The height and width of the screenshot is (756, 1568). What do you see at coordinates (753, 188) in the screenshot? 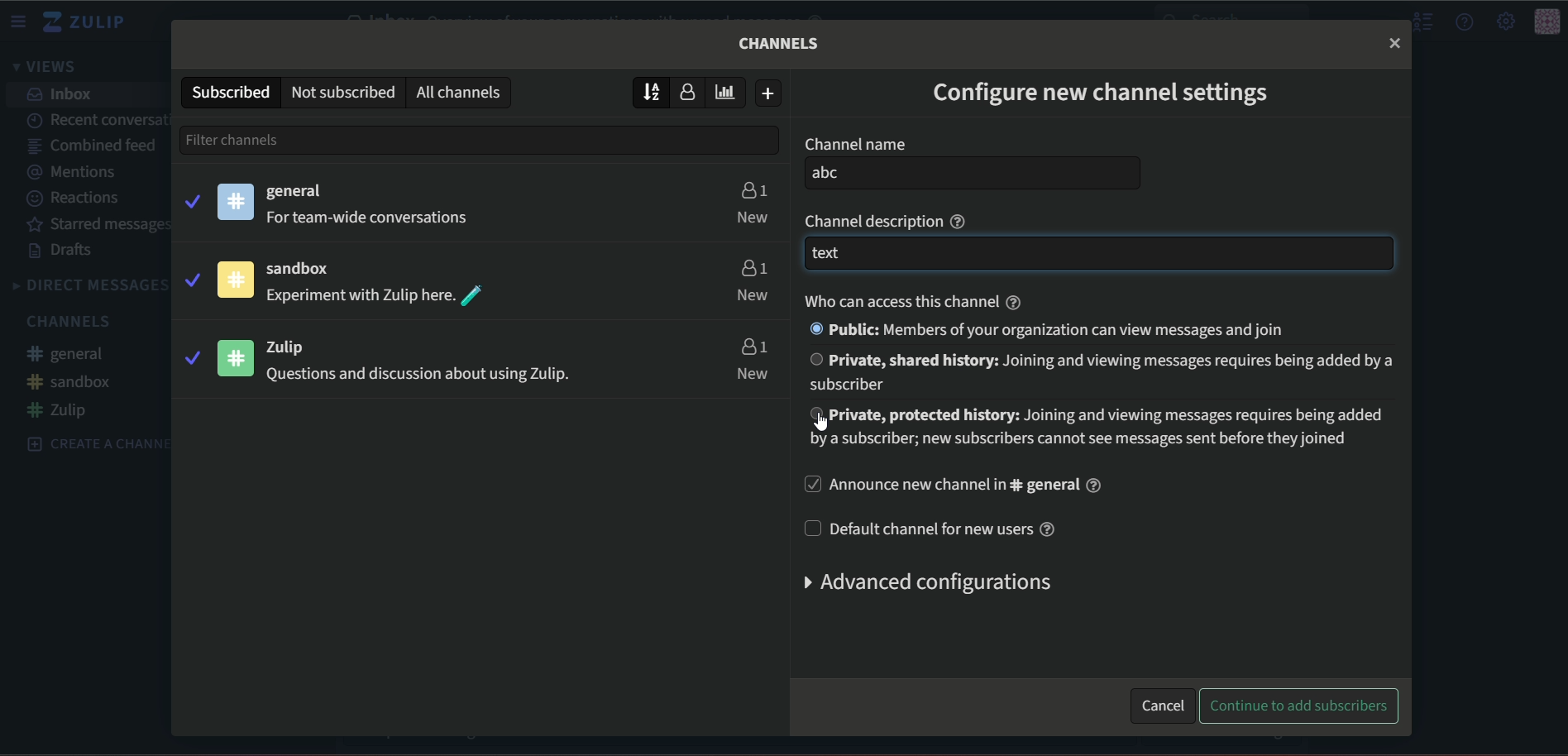
I see `users` at bounding box center [753, 188].